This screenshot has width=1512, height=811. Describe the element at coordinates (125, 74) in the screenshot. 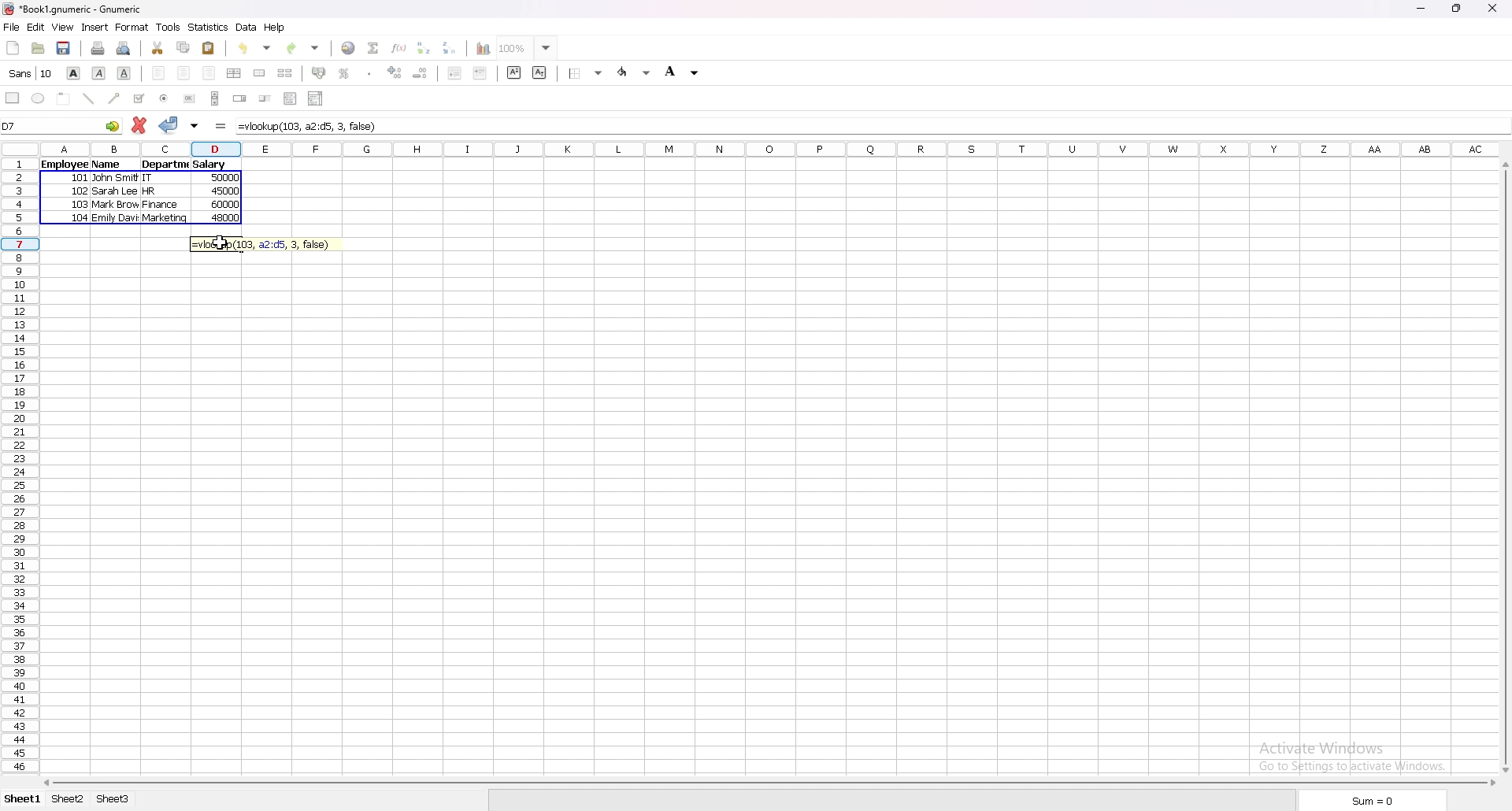

I see `underline` at that location.